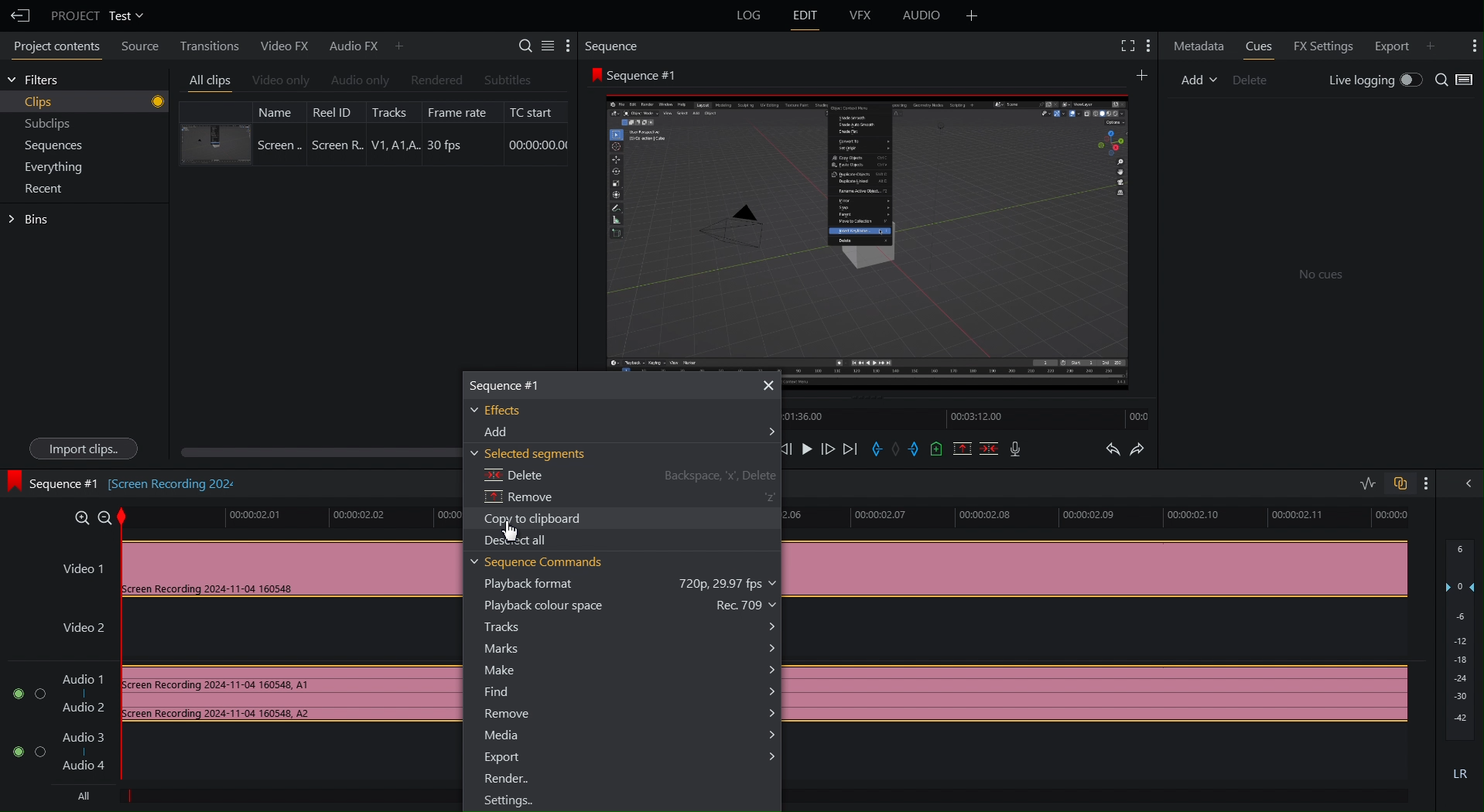 The height and width of the screenshot is (812, 1484). Describe the element at coordinates (207, 78) in the screenshot. I see `All clips` at that location.